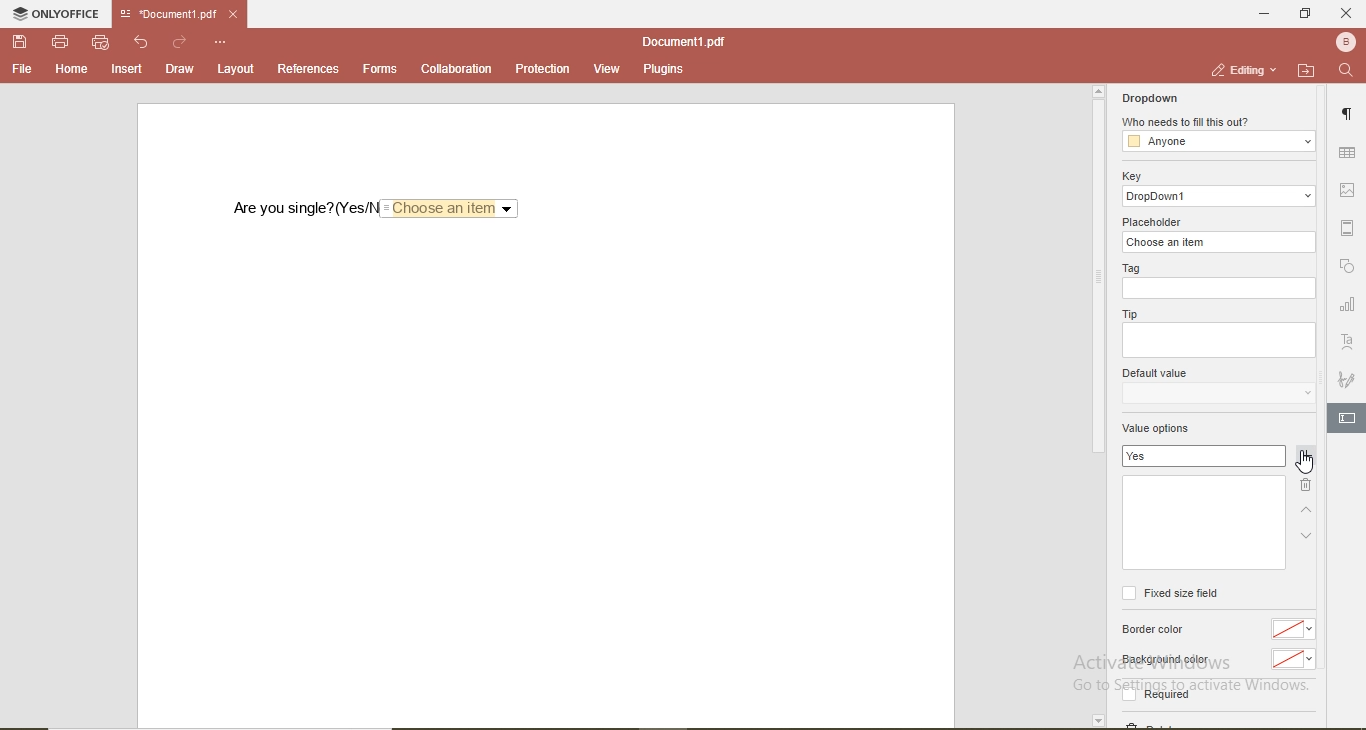  Describe the element at coordinates (1349, 73) in the screenshot. I see `search` at that location.